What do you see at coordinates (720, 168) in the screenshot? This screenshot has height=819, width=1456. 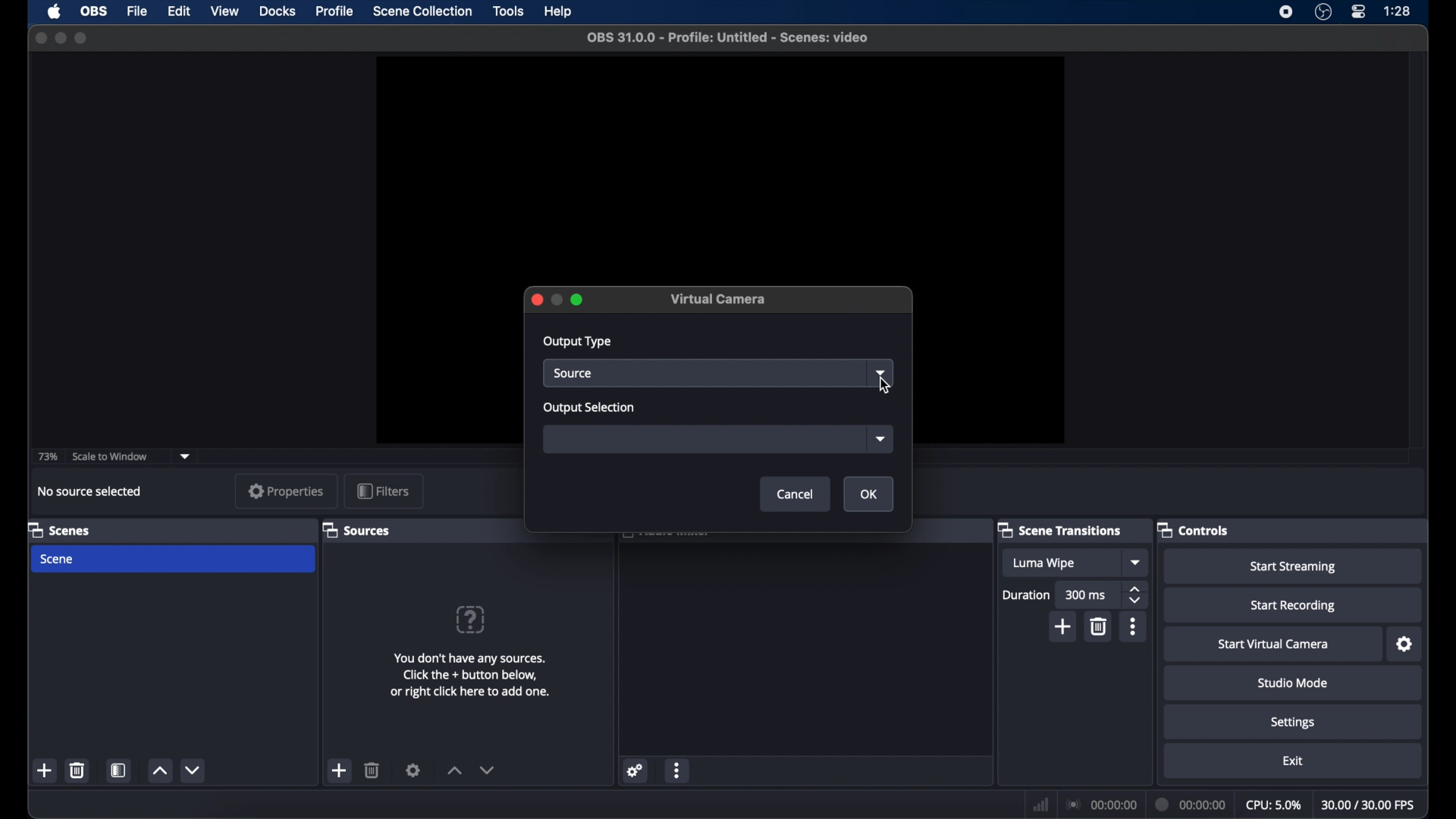 I see `preview` at bounding box center [720, 168].